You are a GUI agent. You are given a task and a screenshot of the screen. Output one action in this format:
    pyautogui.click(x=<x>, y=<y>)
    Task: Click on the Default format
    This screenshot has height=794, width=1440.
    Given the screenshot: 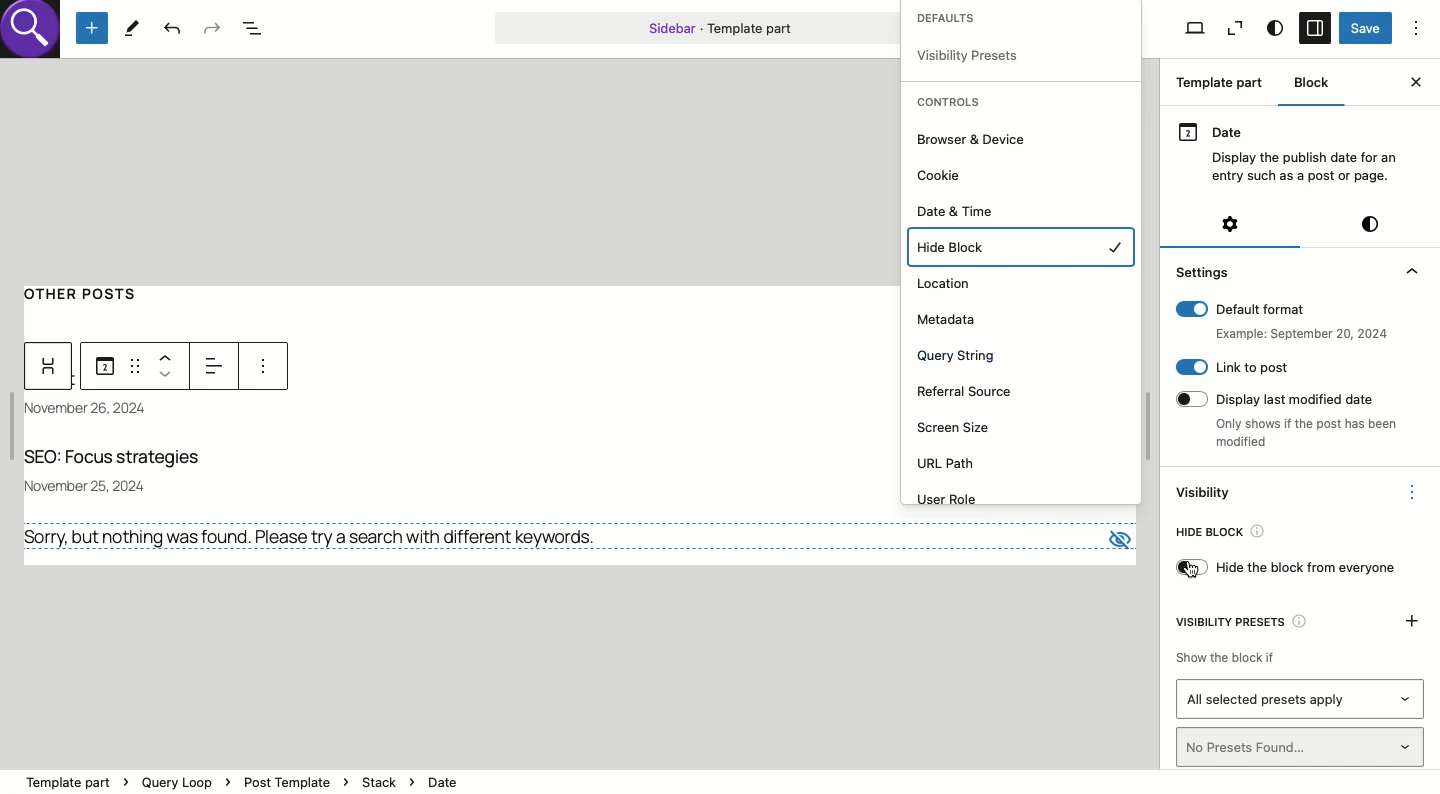 What is the action you would take?
    pyautogui.click(x=1281, y=309)
    